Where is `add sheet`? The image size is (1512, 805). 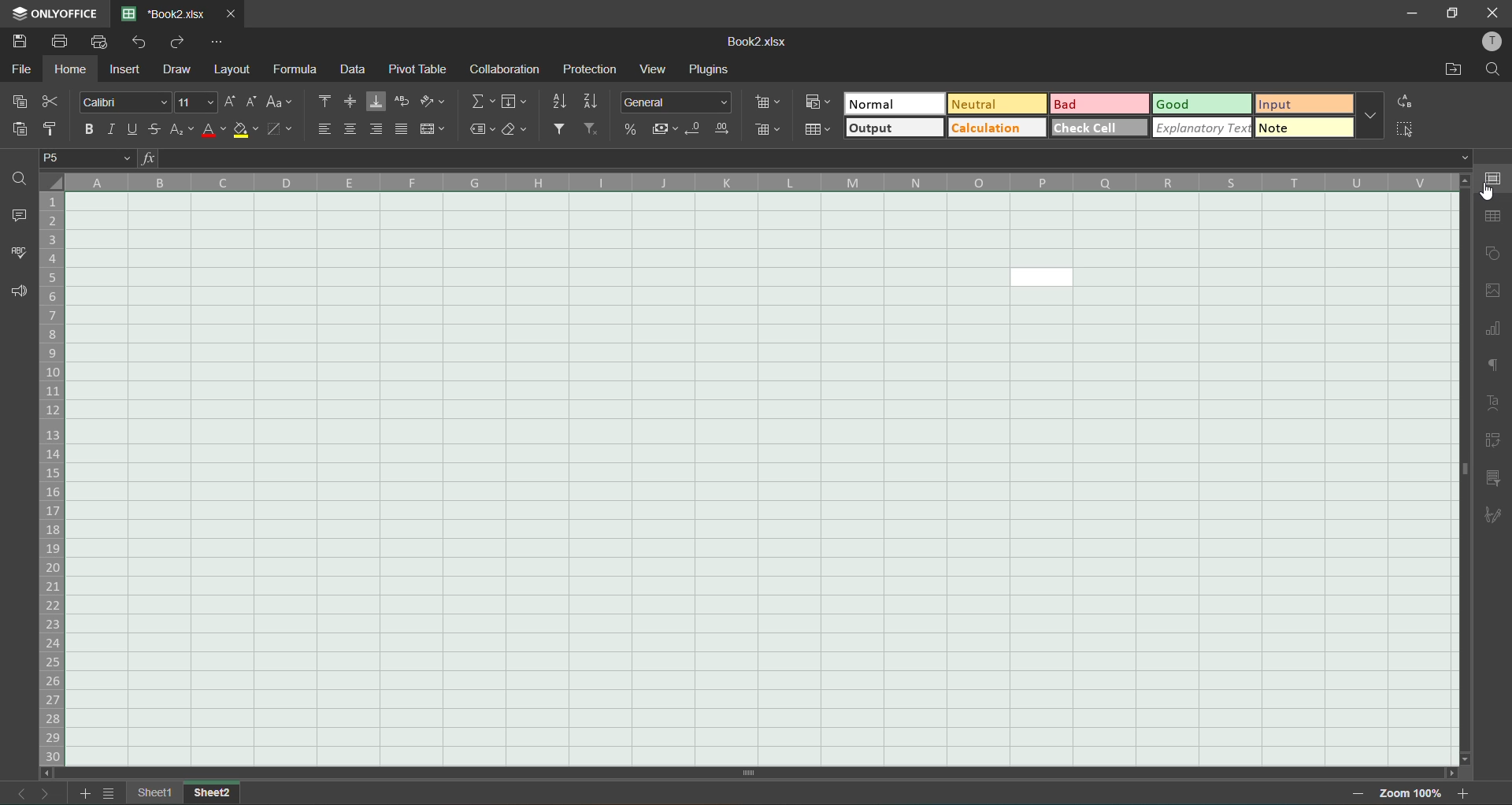
add sheet is located at coordinates (83, 793).